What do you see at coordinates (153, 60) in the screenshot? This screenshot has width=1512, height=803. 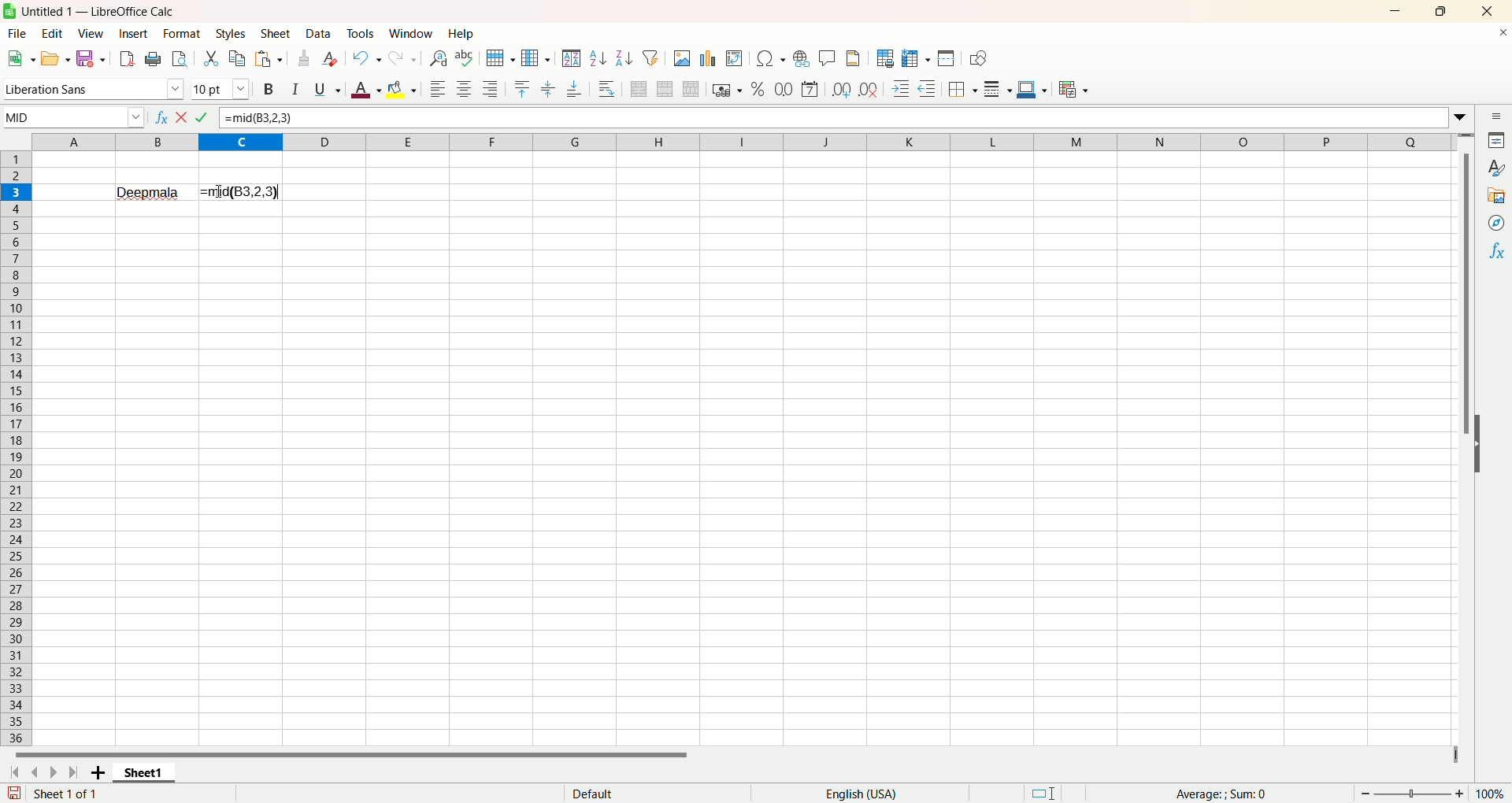 I see `Print` at bounding box center [153, 60].